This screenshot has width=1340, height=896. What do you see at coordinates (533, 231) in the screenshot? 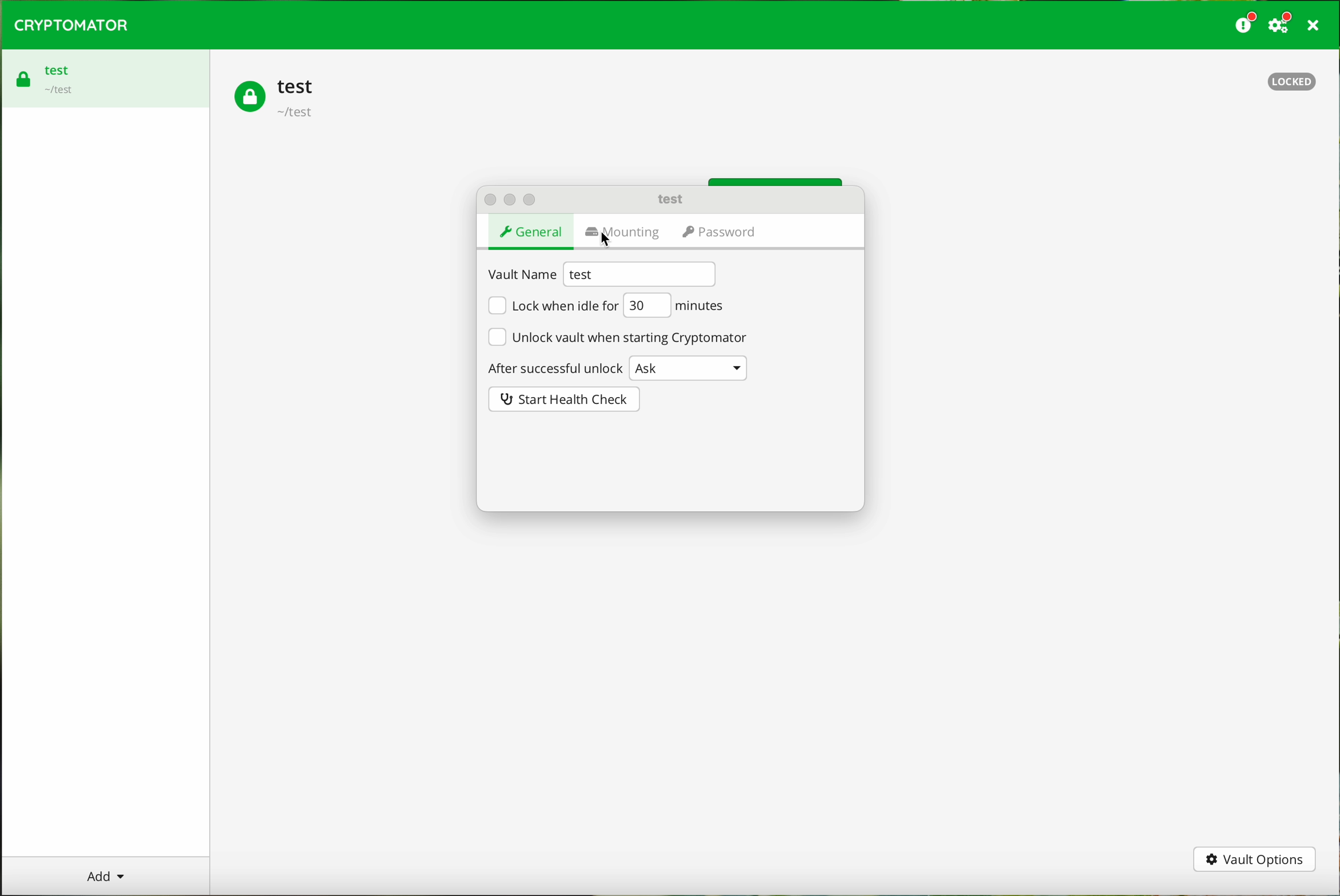
I see `general` at bounding box center [533, 231].